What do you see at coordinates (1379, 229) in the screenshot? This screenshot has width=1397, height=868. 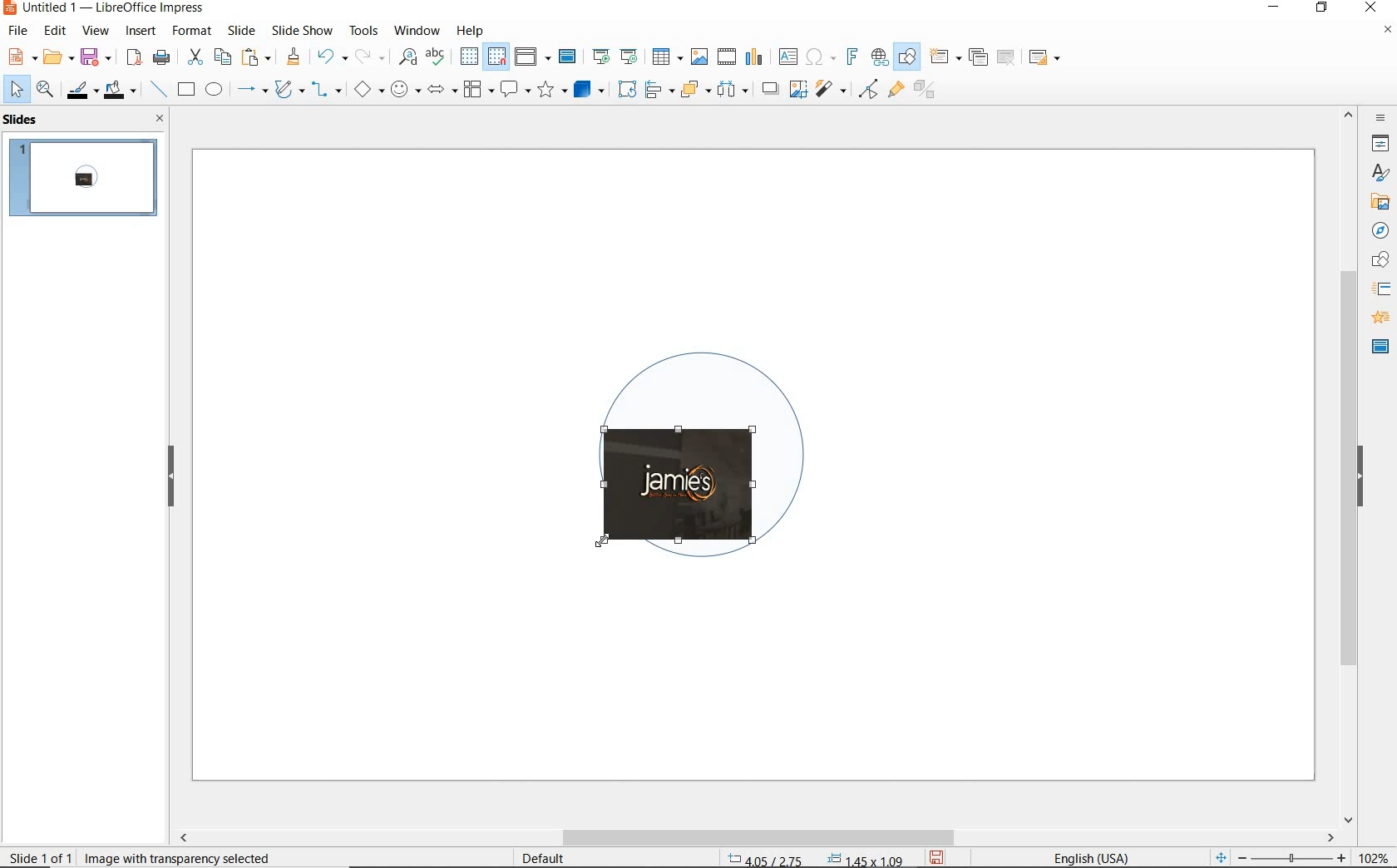 I see `navigator` at bounding box center [1379, 229].